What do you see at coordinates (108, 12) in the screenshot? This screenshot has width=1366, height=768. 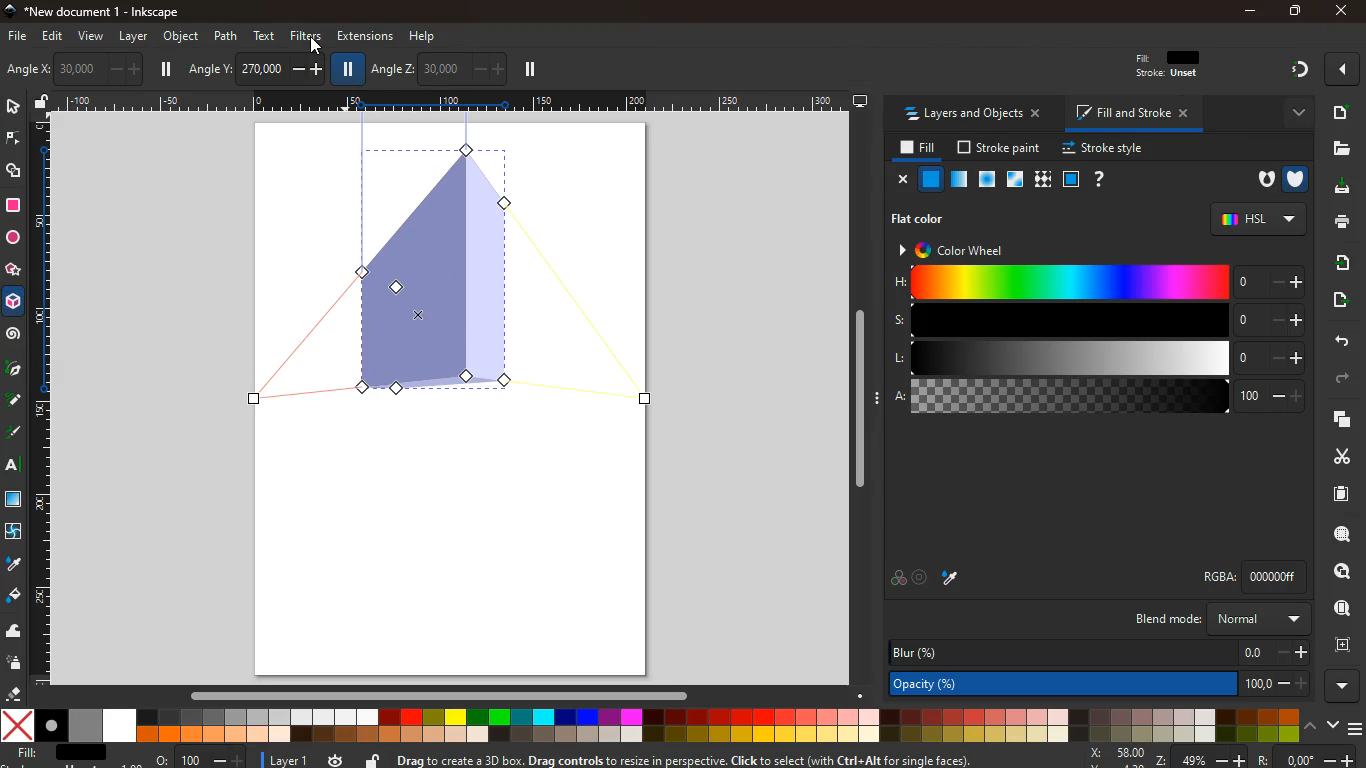 I see `inkscape` at bounding box center [108, 12].